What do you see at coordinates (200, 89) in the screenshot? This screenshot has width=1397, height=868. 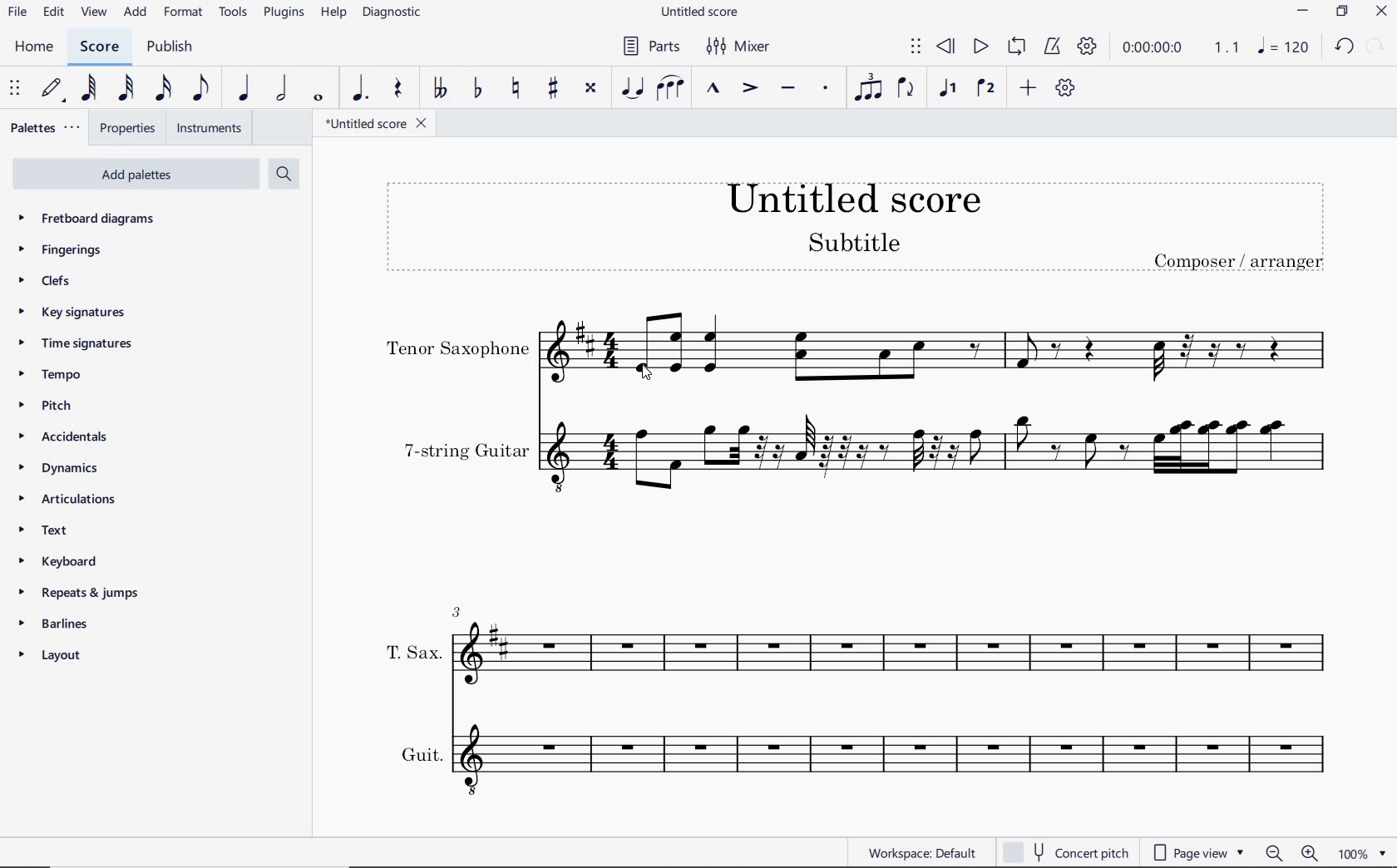 I see `EIGHTH NOTE` at bounding box center [200, 89].